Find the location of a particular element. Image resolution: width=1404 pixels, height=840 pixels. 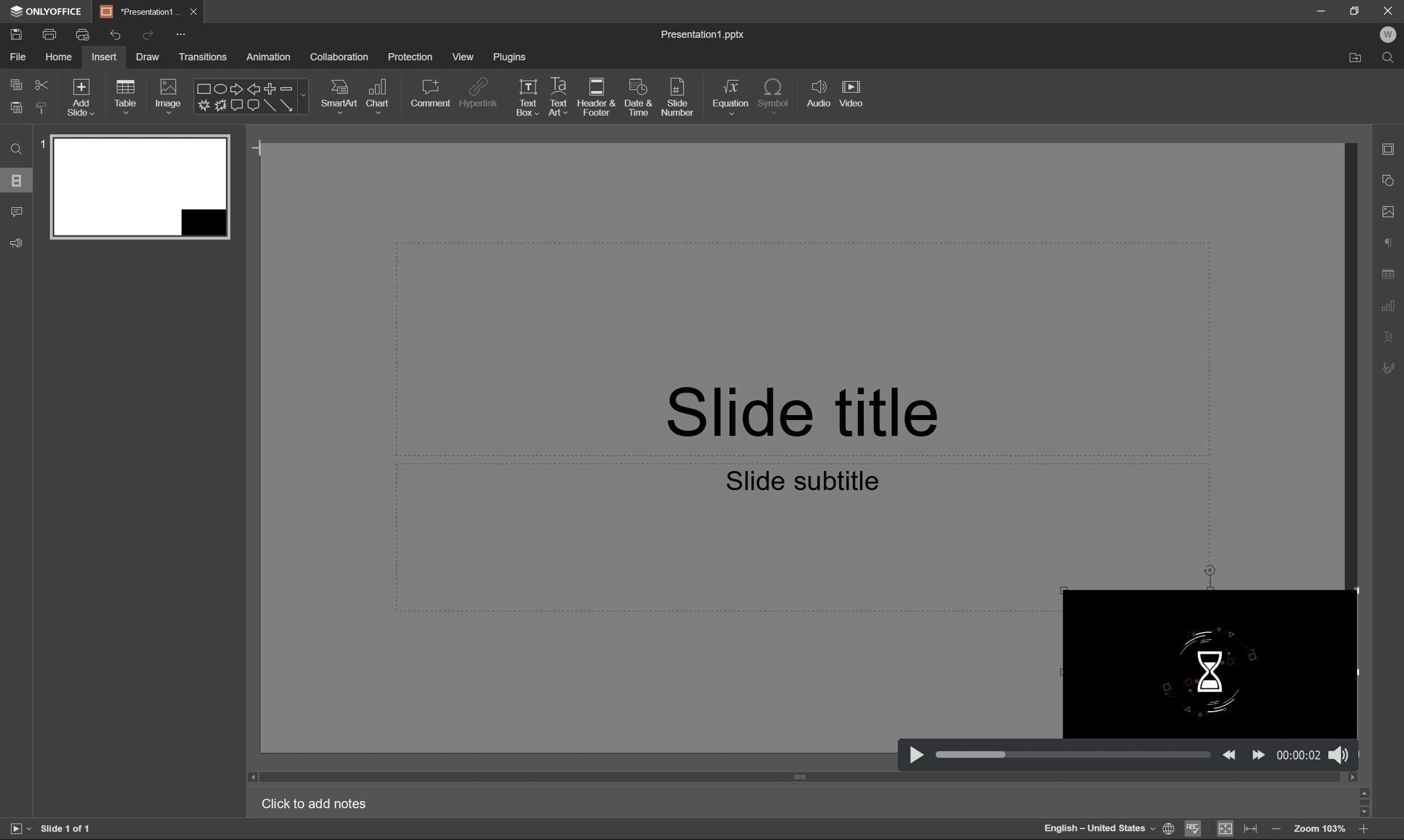

print a file is located at coordinates (51, 32).